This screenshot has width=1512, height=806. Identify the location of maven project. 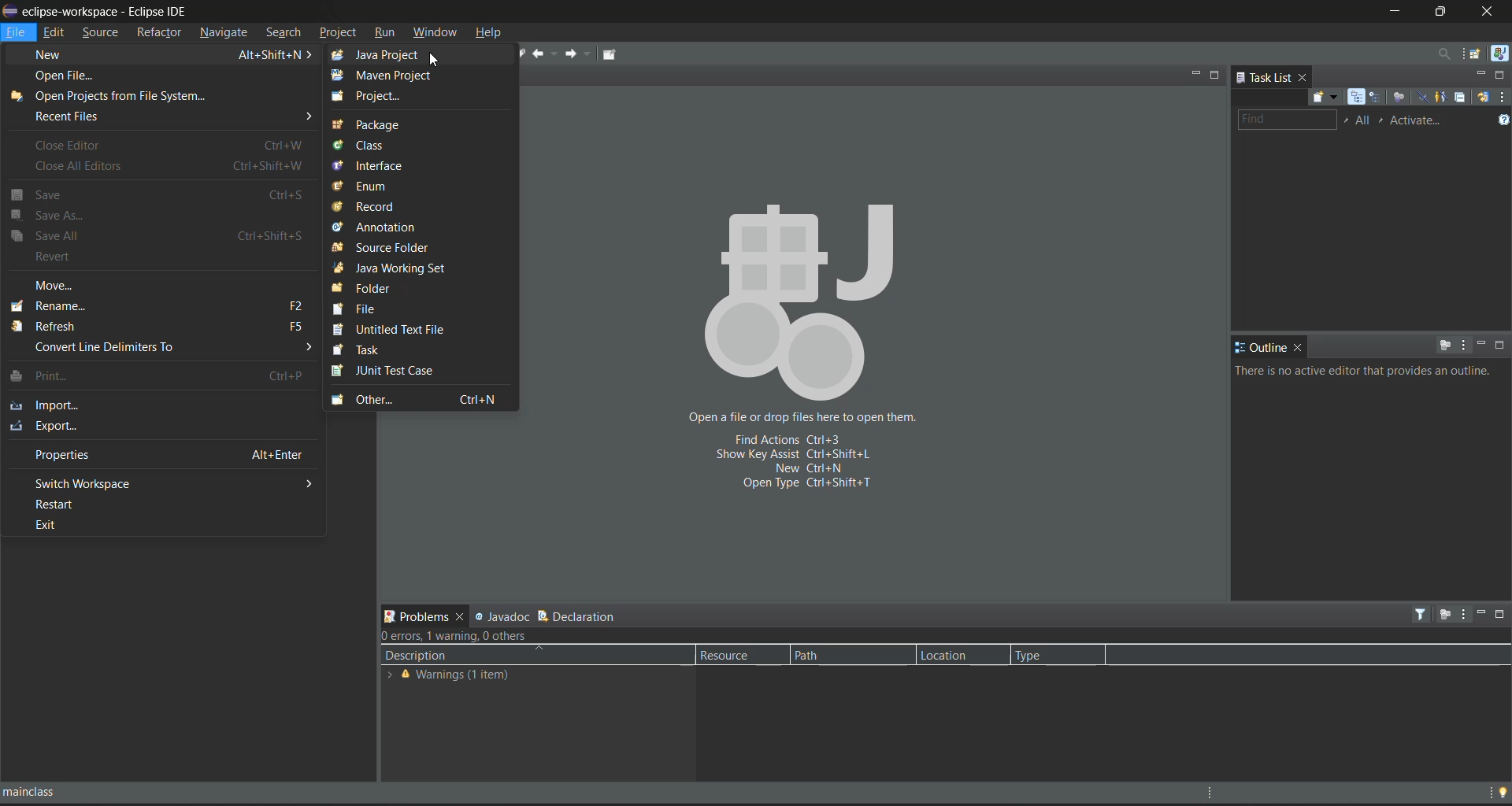
(396, 76).